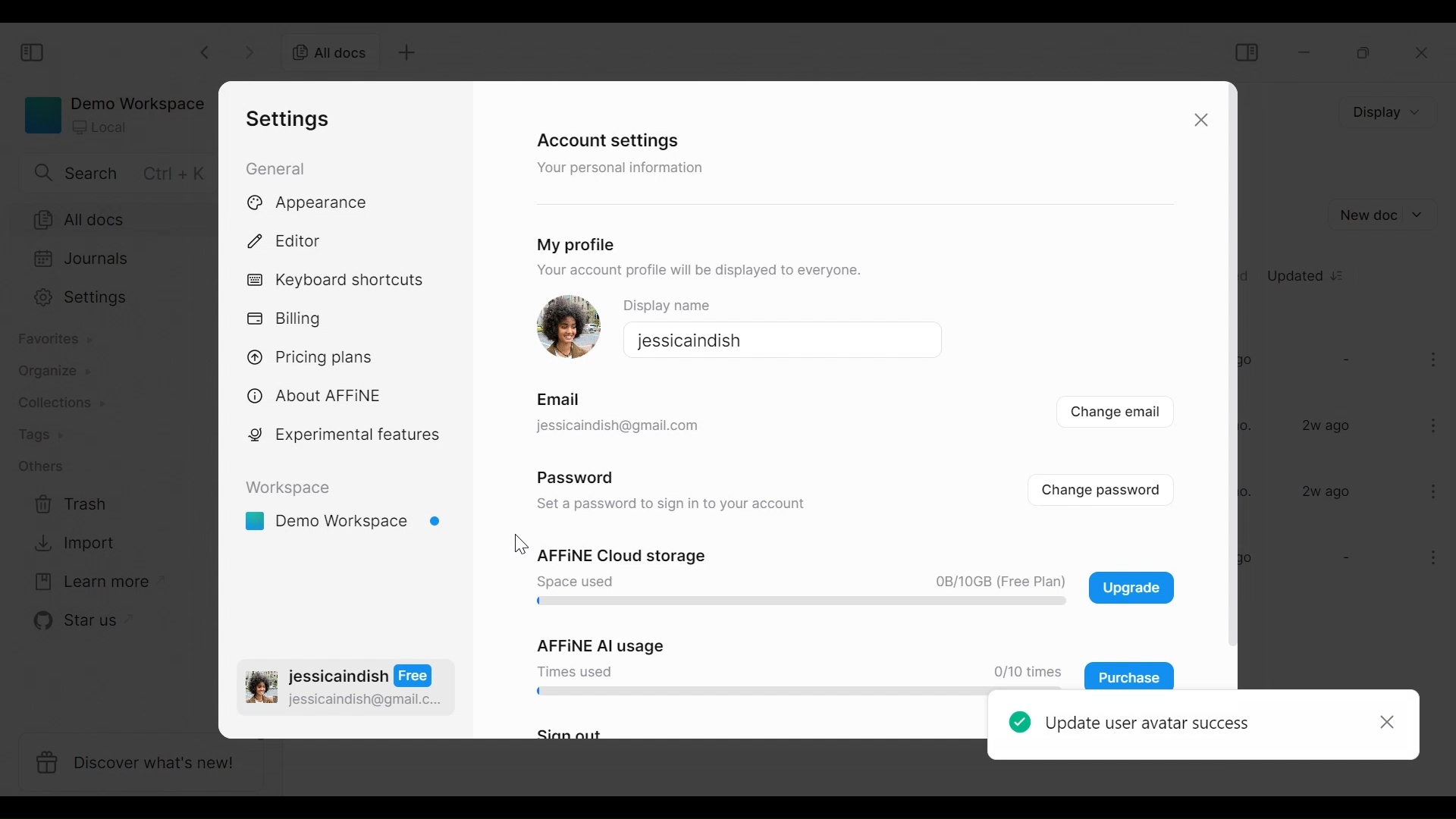 This screenshot has width=1456, height=819. I want to click on Show/Hide Sidebar, so click(35, 53).